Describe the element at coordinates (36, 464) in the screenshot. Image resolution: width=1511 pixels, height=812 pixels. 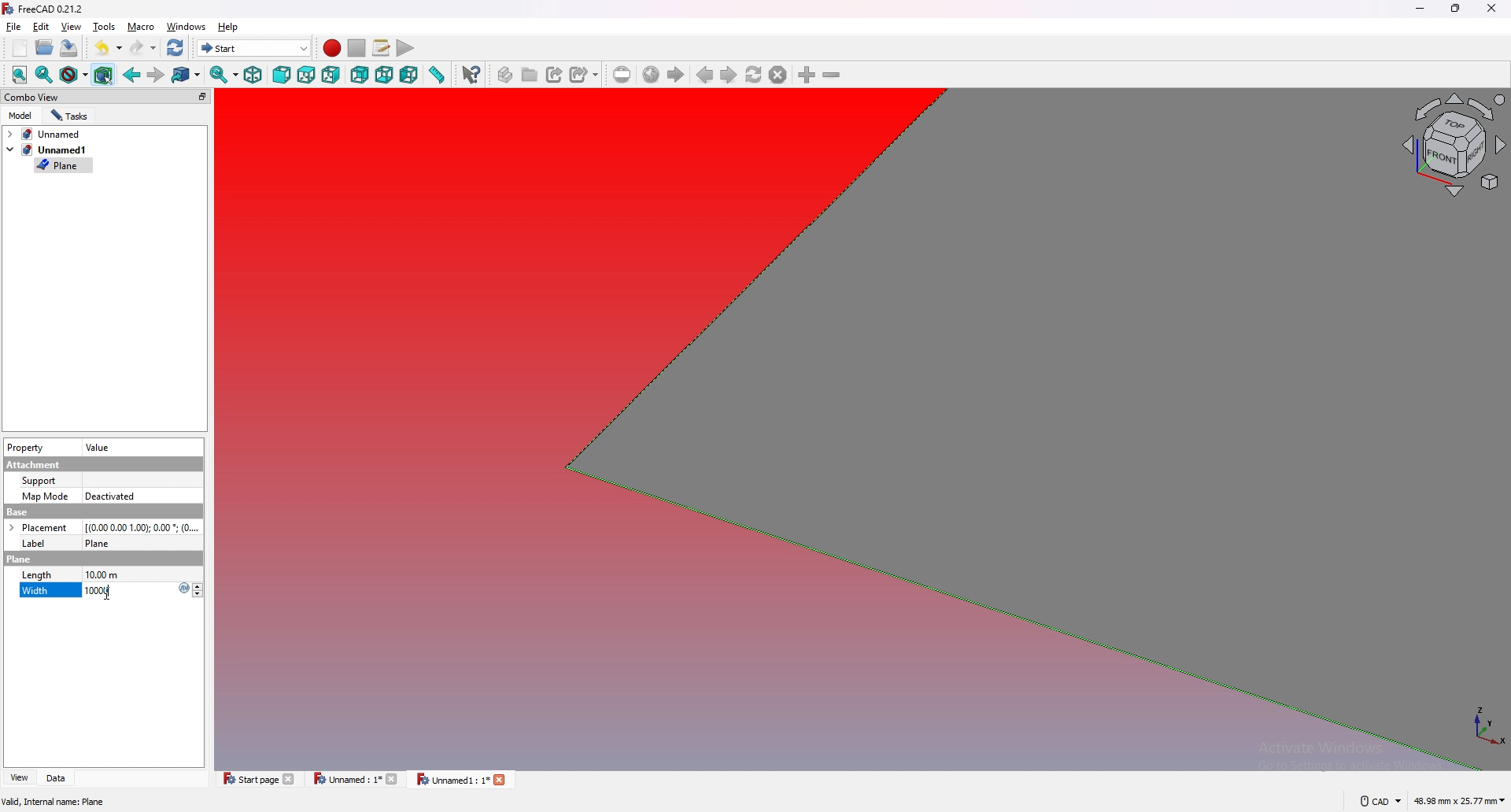
I see `Attachment` at that location.